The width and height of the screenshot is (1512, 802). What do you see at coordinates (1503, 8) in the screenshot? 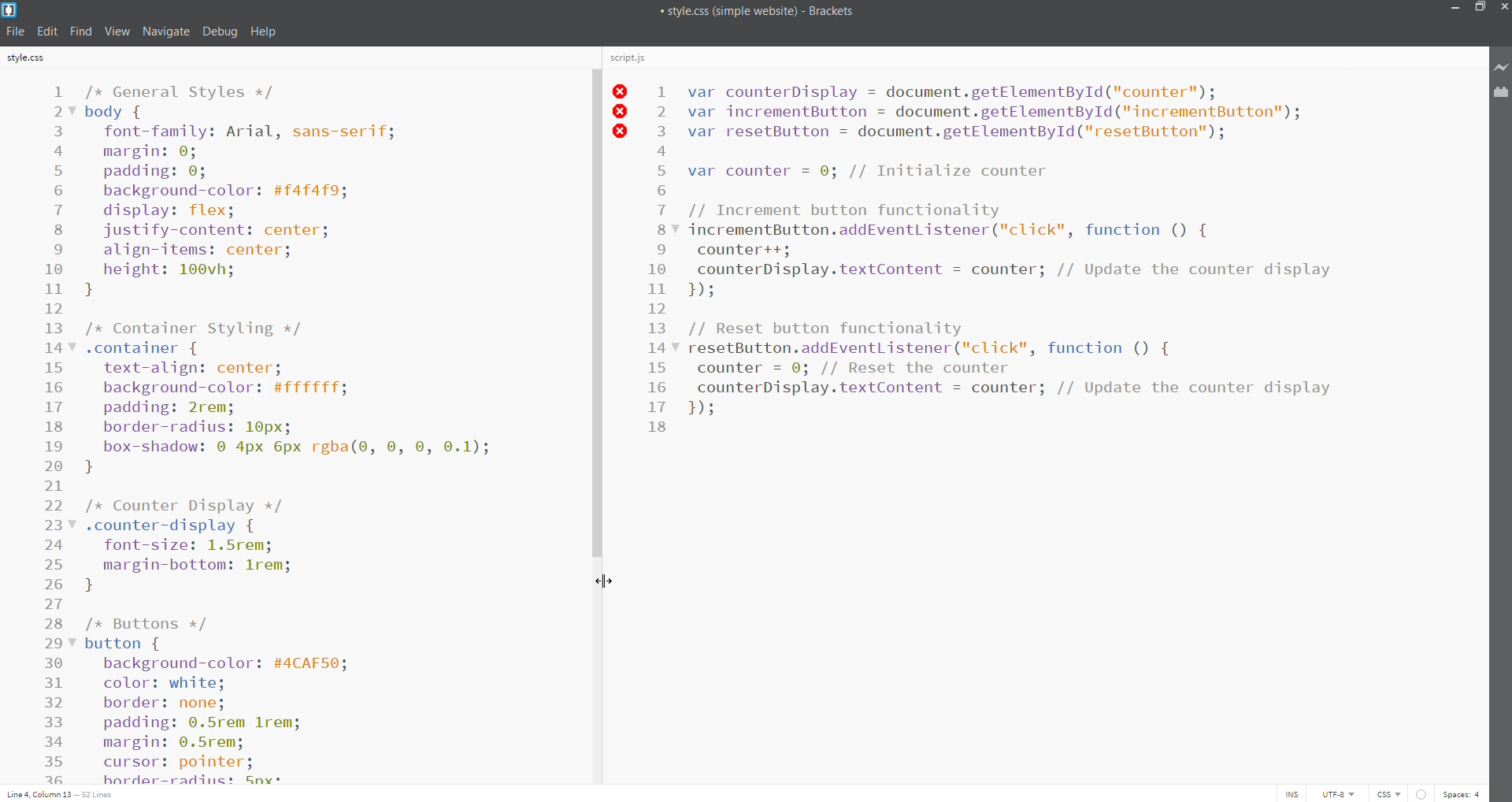
I see `close` at bounding box center [1503, 8].